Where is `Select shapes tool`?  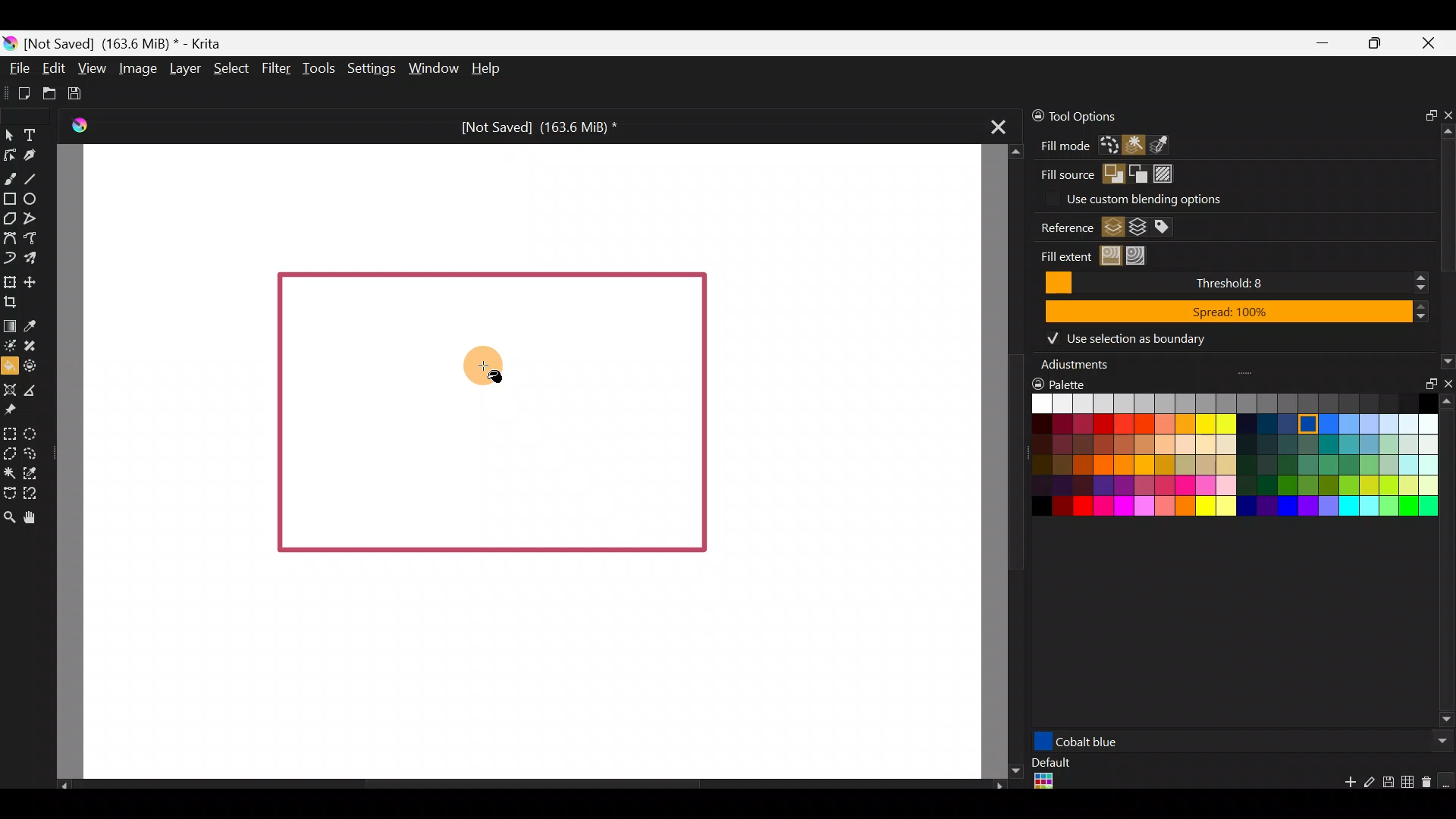
Select shapes tool is located at coordinates (12, 137).